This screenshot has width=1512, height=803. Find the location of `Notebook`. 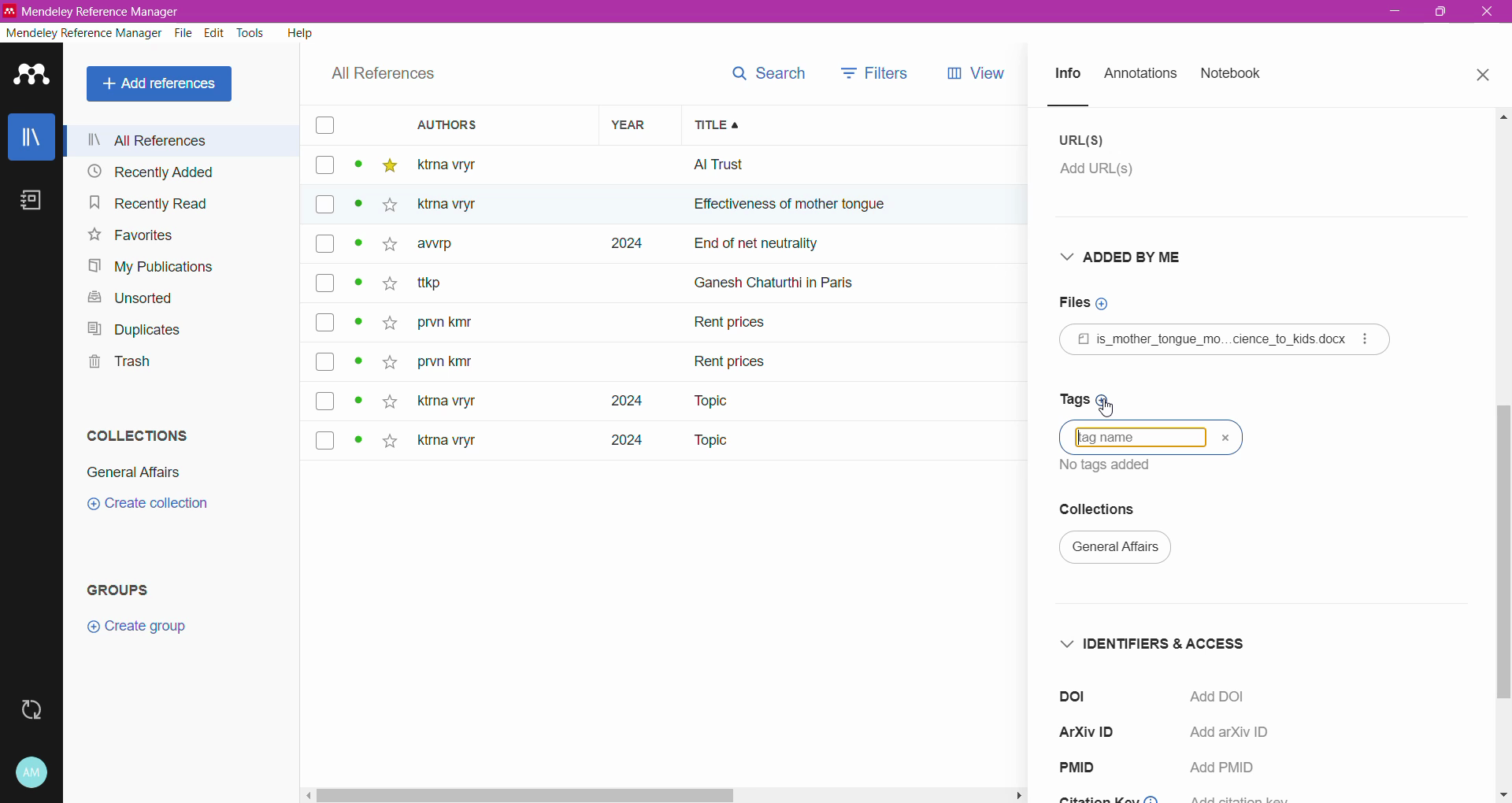

Notebook is located at coordinates (31, 200).